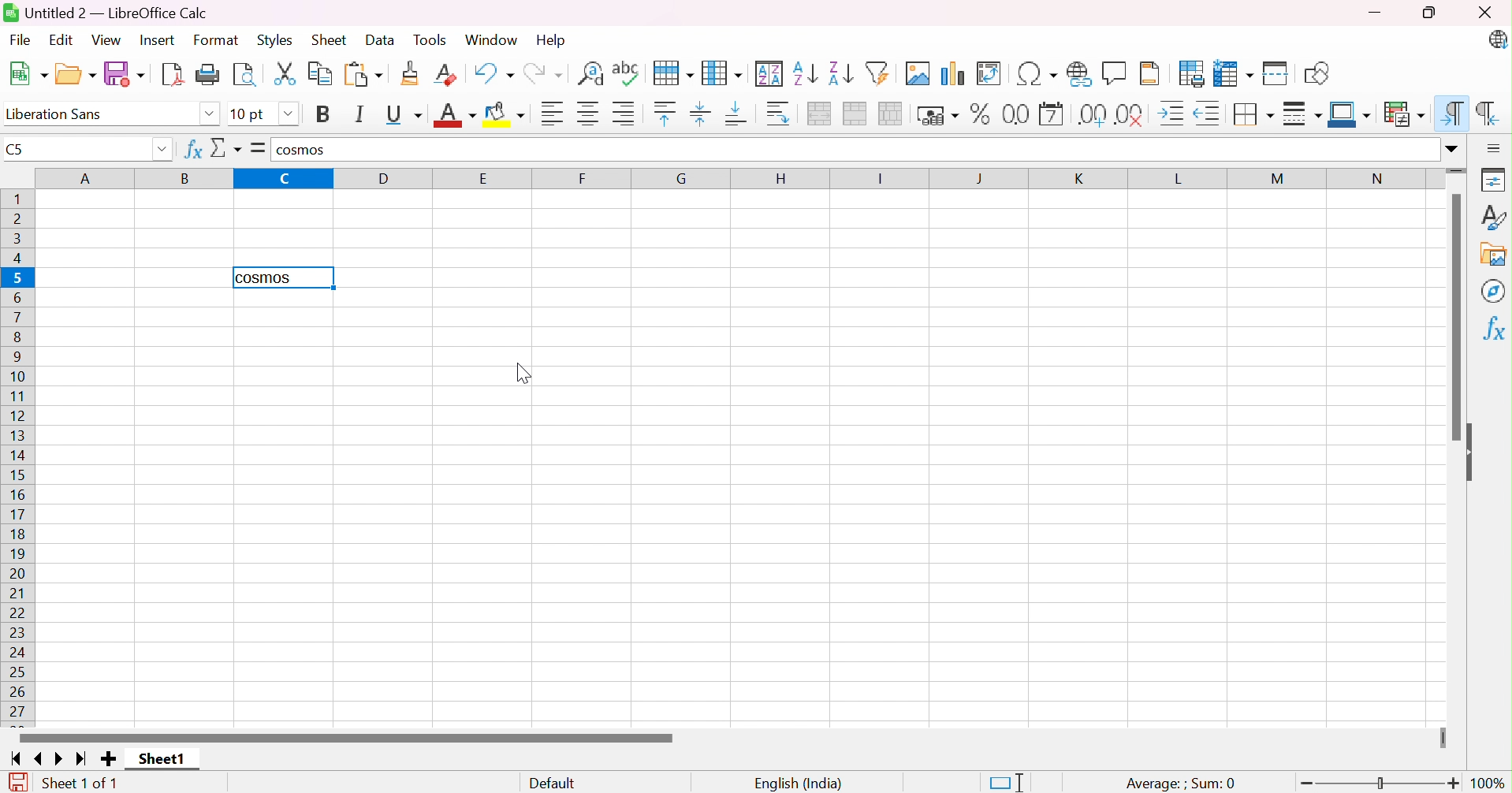 The height and width of the screenshot is (793, 1512). What do you see at coordinates (1381, 782) in the screenshot?
I see `Slider` at bounding box center [1381, 782].